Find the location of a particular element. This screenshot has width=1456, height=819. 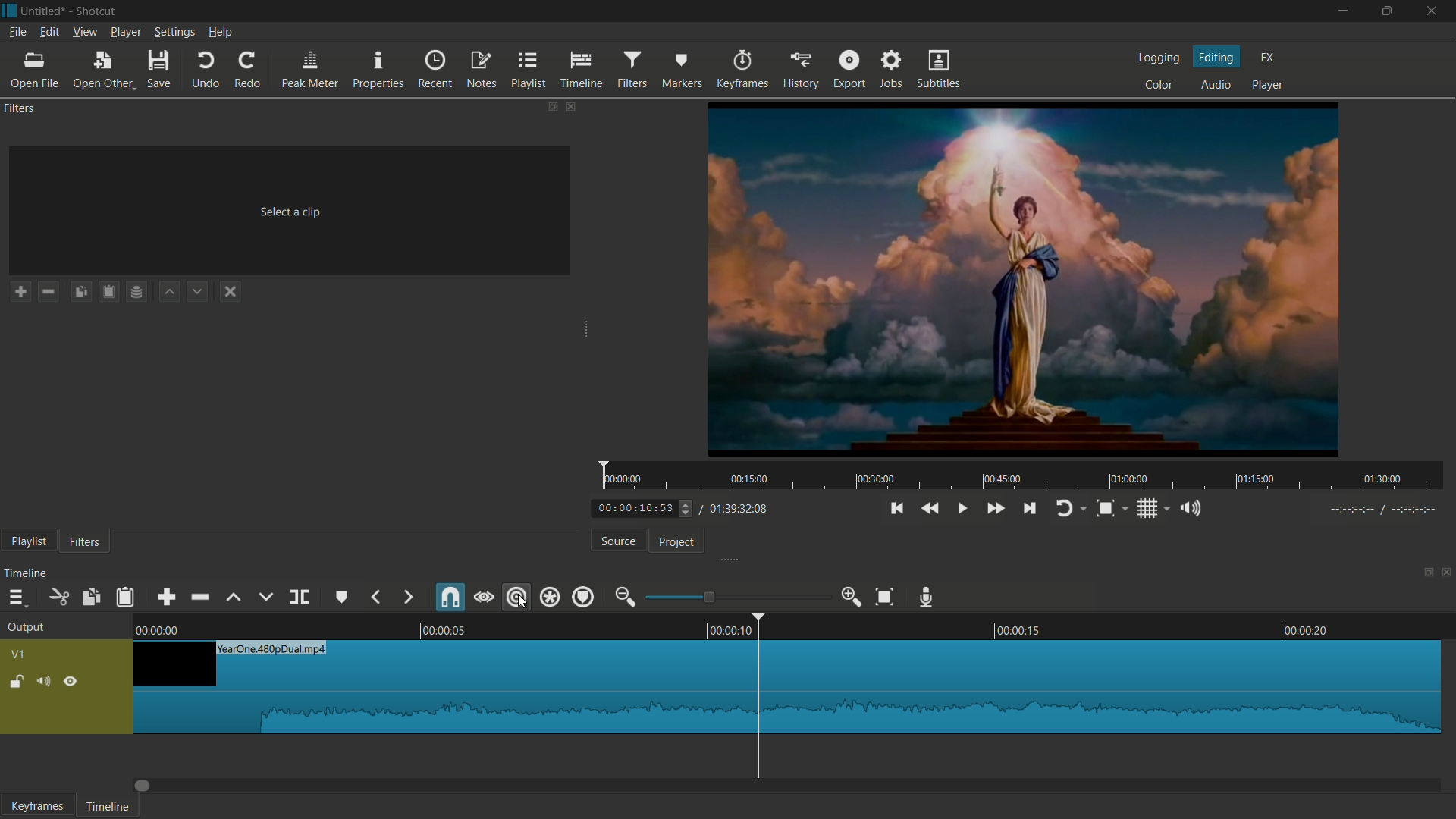

ripple markers is located at coordinates (584, 598).